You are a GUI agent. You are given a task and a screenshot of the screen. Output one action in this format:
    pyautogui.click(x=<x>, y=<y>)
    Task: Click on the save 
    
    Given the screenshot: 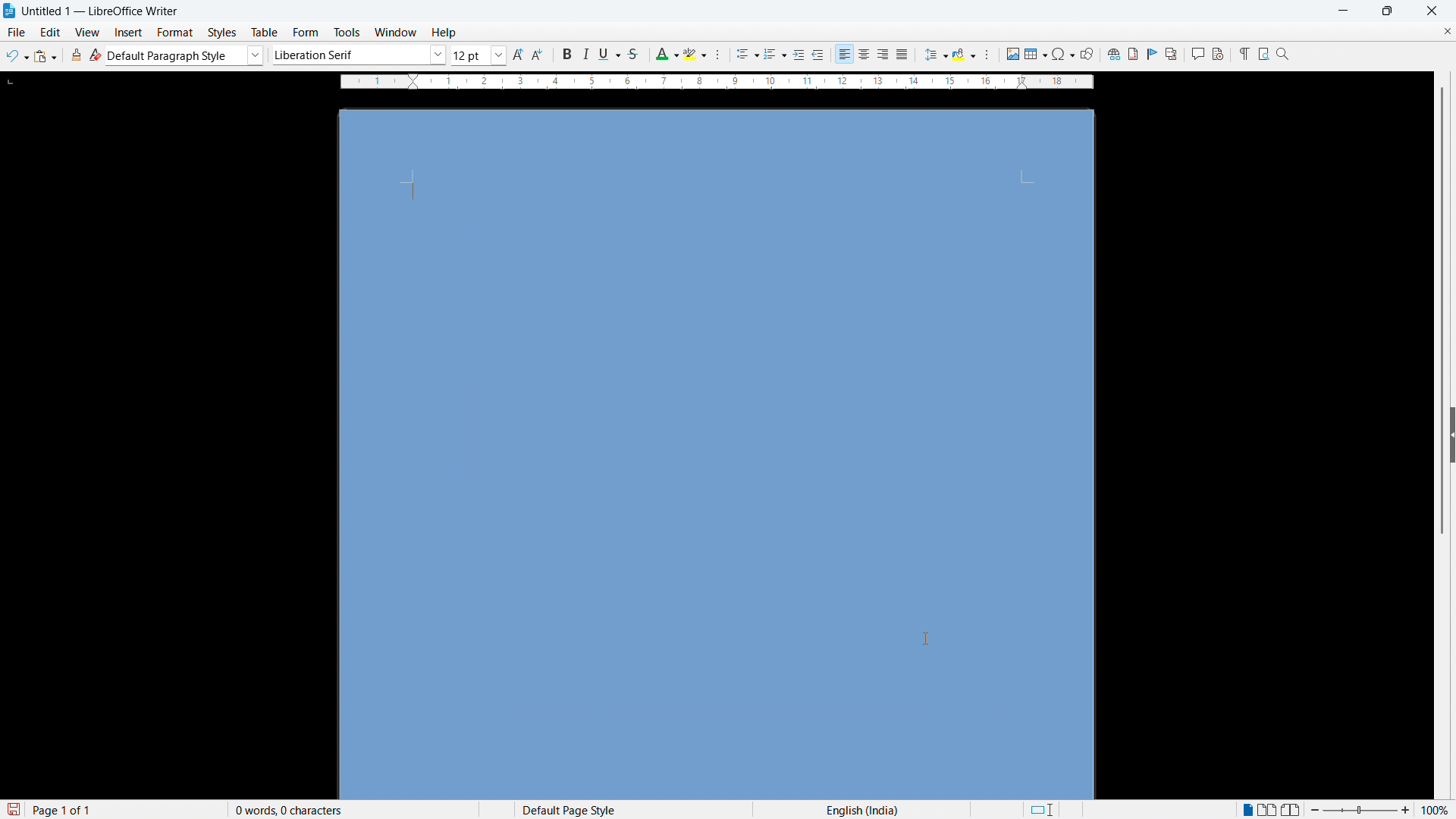 What is the action you would take?
    pyautogui.click(x=12, y=810)
    